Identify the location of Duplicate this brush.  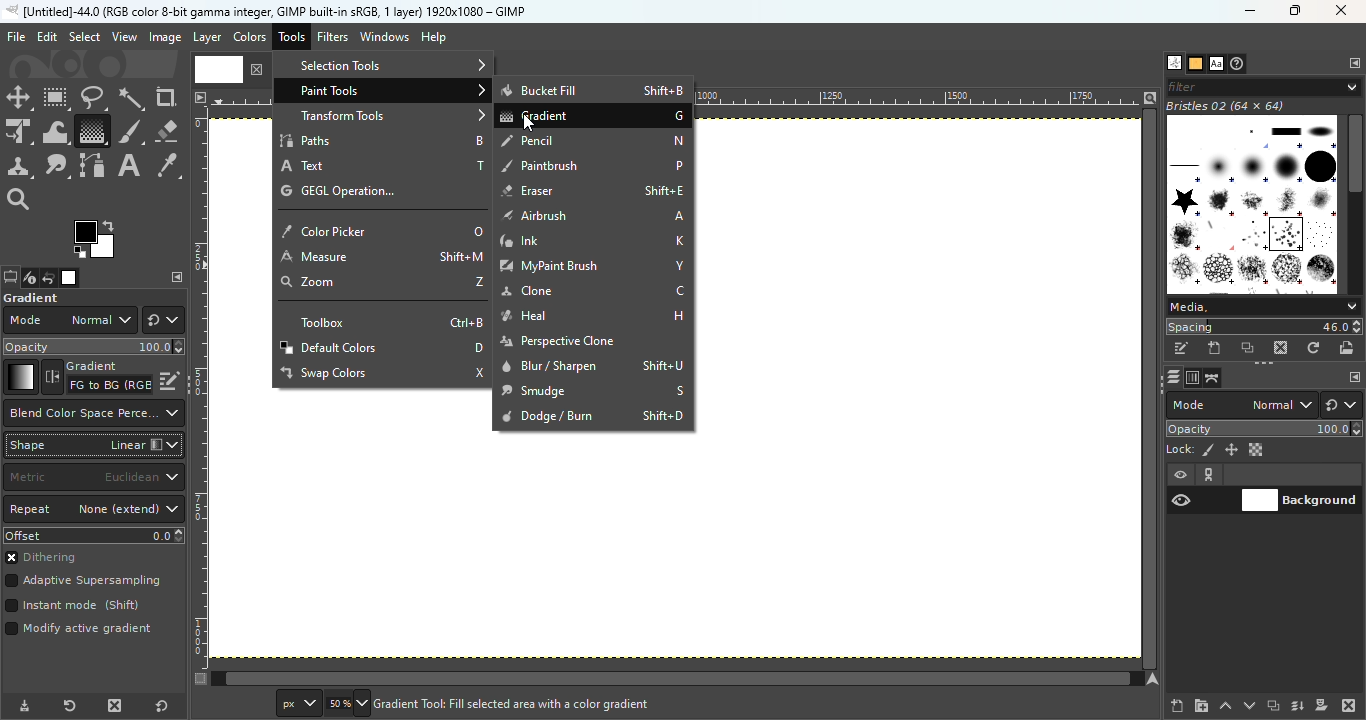
(1249, 348).